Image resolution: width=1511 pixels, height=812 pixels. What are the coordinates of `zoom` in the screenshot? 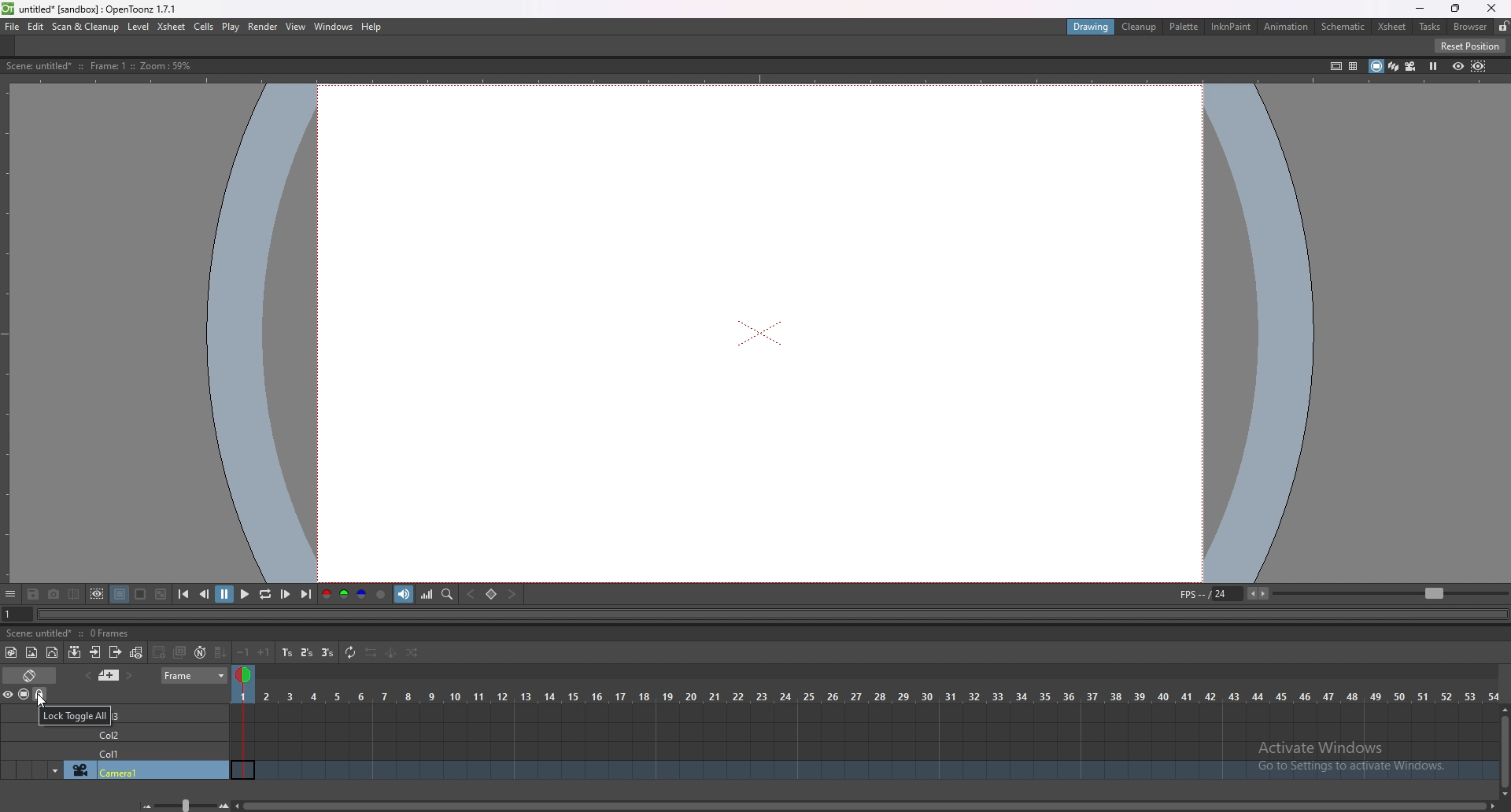 It's located at (1390, 593).